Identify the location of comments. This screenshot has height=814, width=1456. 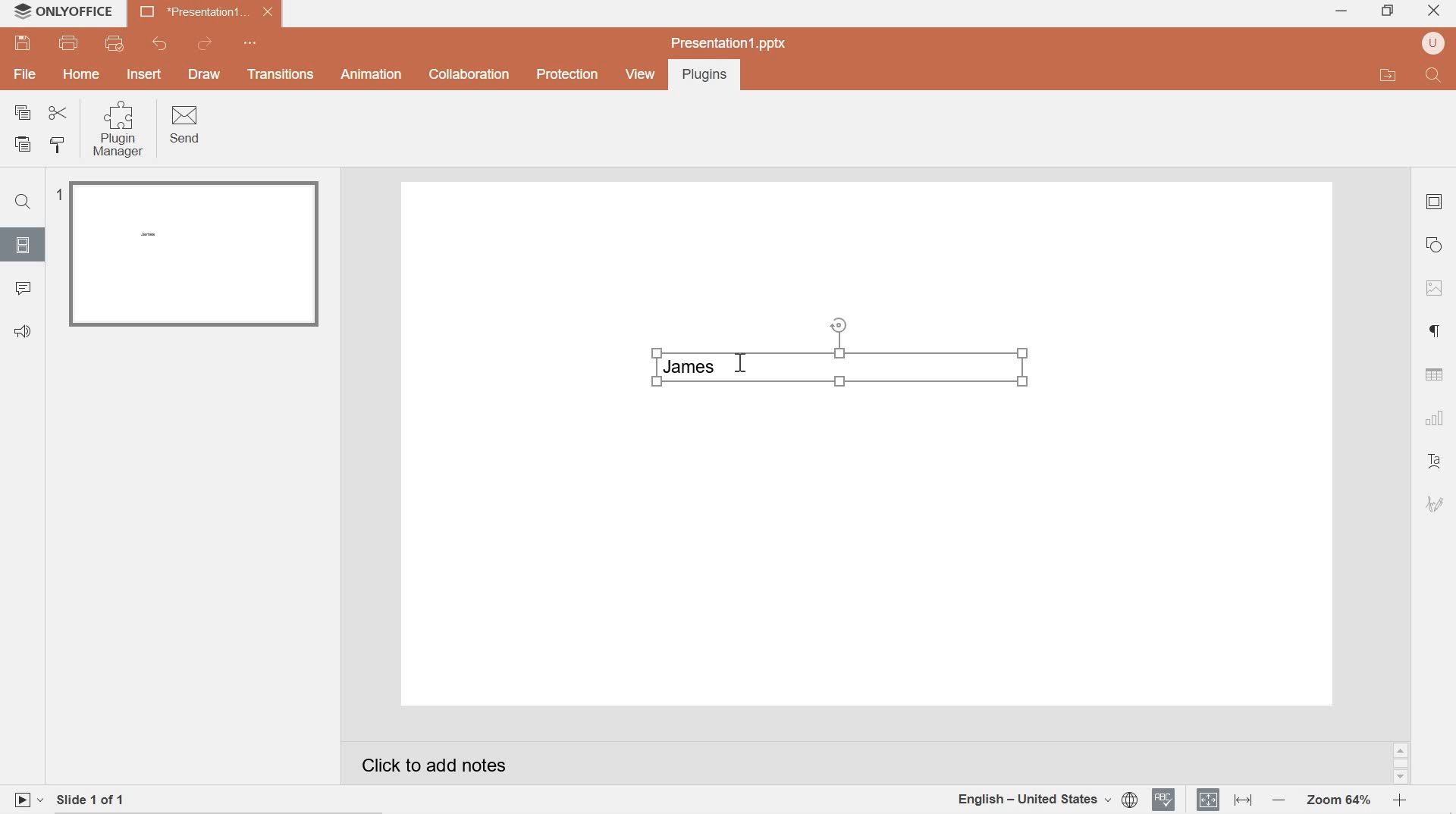
(25, 290).